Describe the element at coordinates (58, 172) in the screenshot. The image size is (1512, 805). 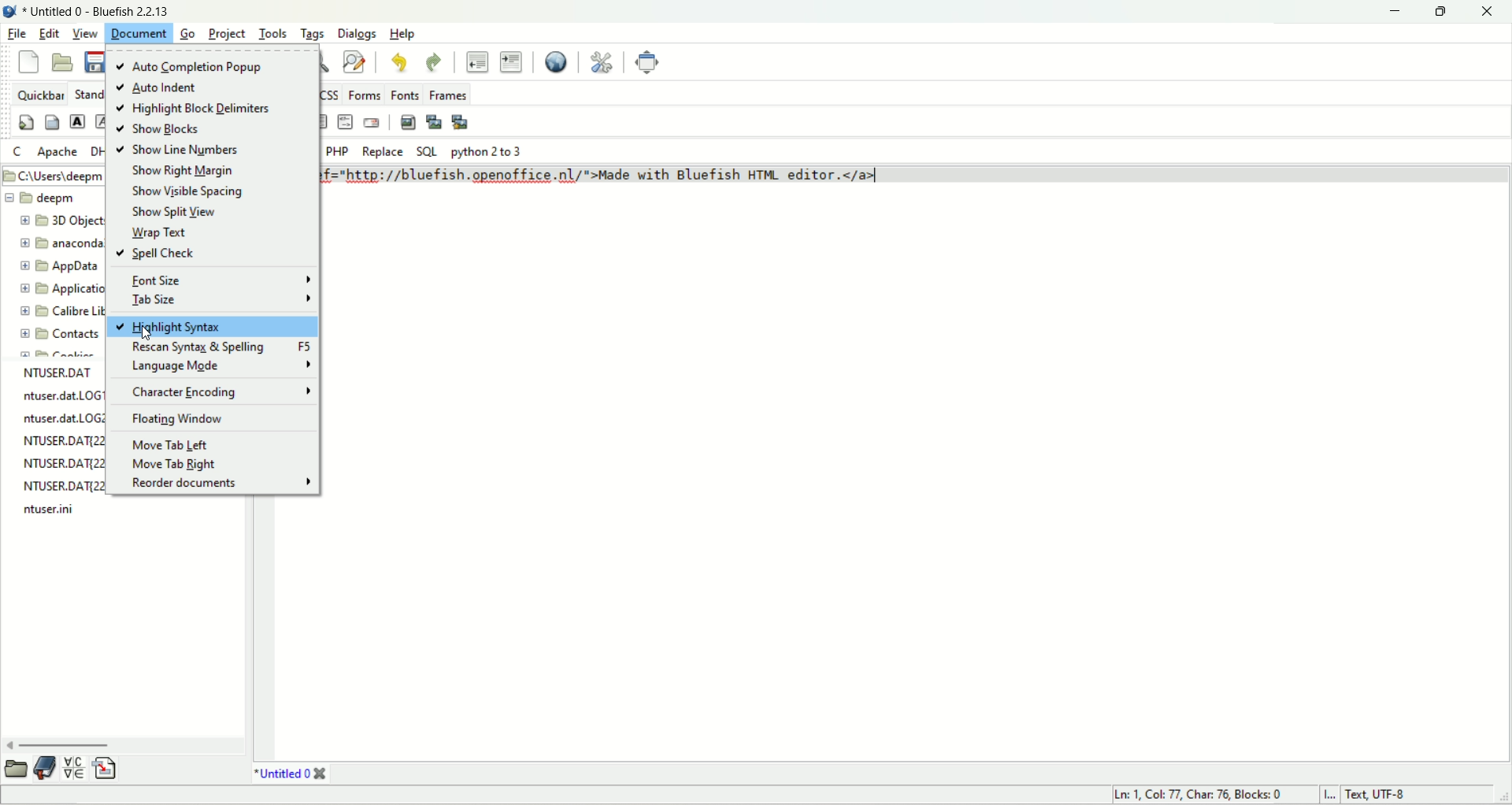
I see `location` at that location.